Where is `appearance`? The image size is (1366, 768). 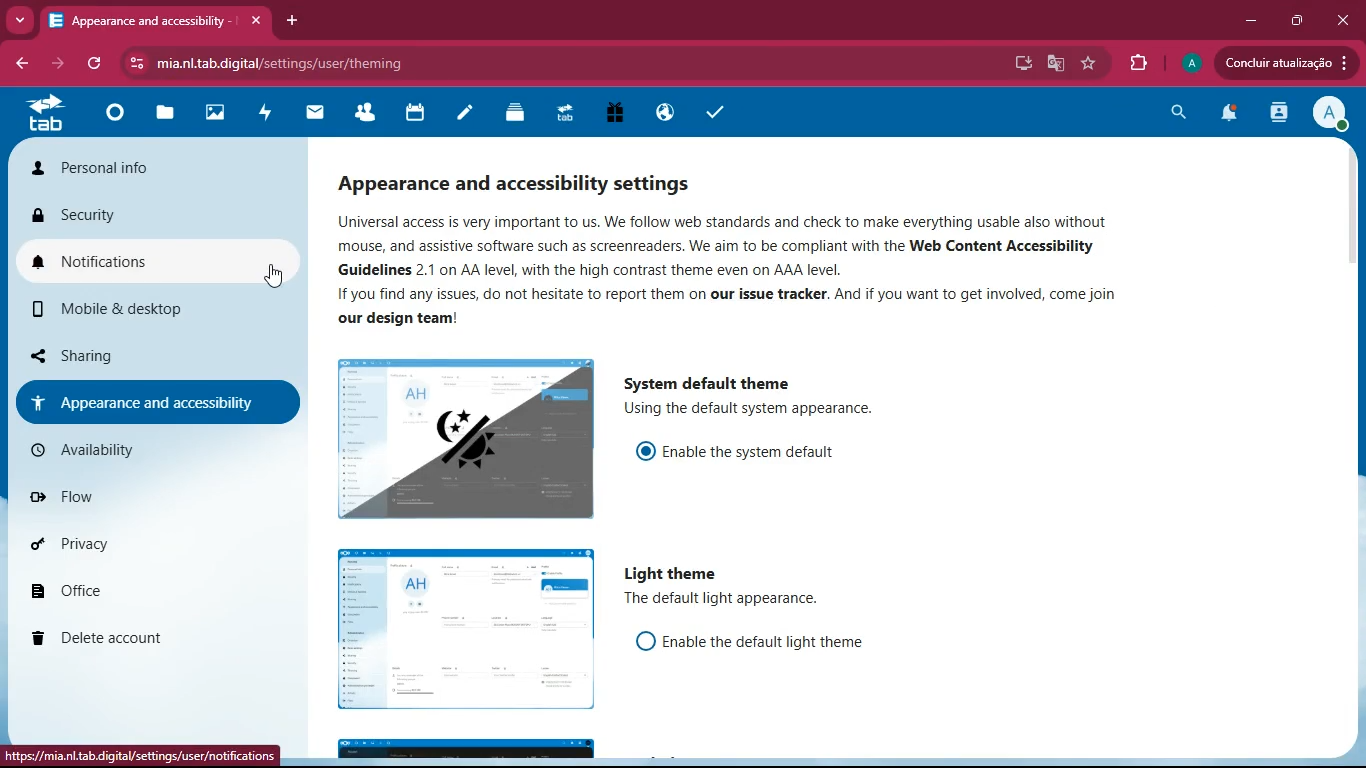 appearance is located at coordinates (539, 180).